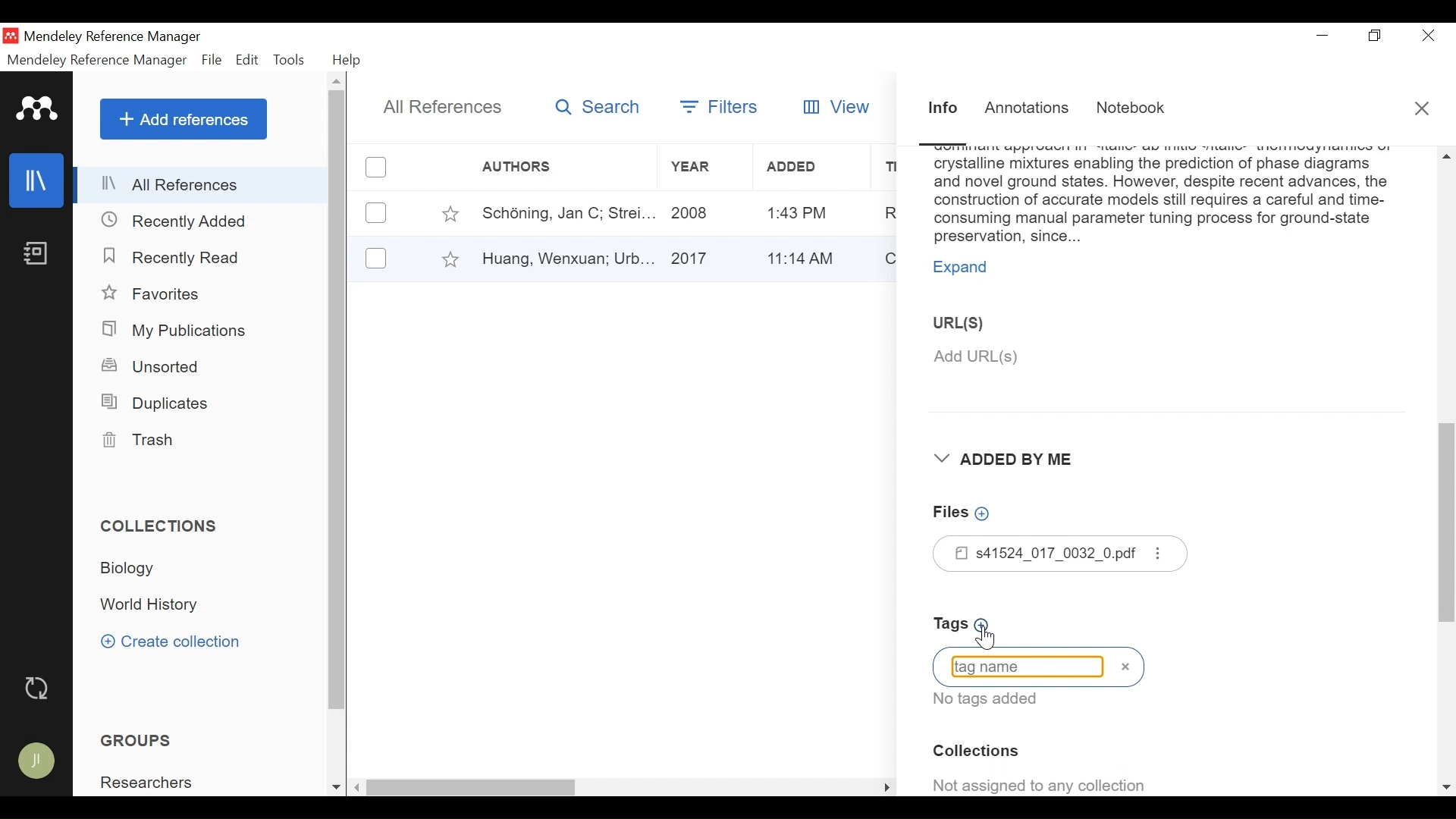  Describe the element at coordinates (1162, 197) in the screenshot. I see `Abstract` at that location.